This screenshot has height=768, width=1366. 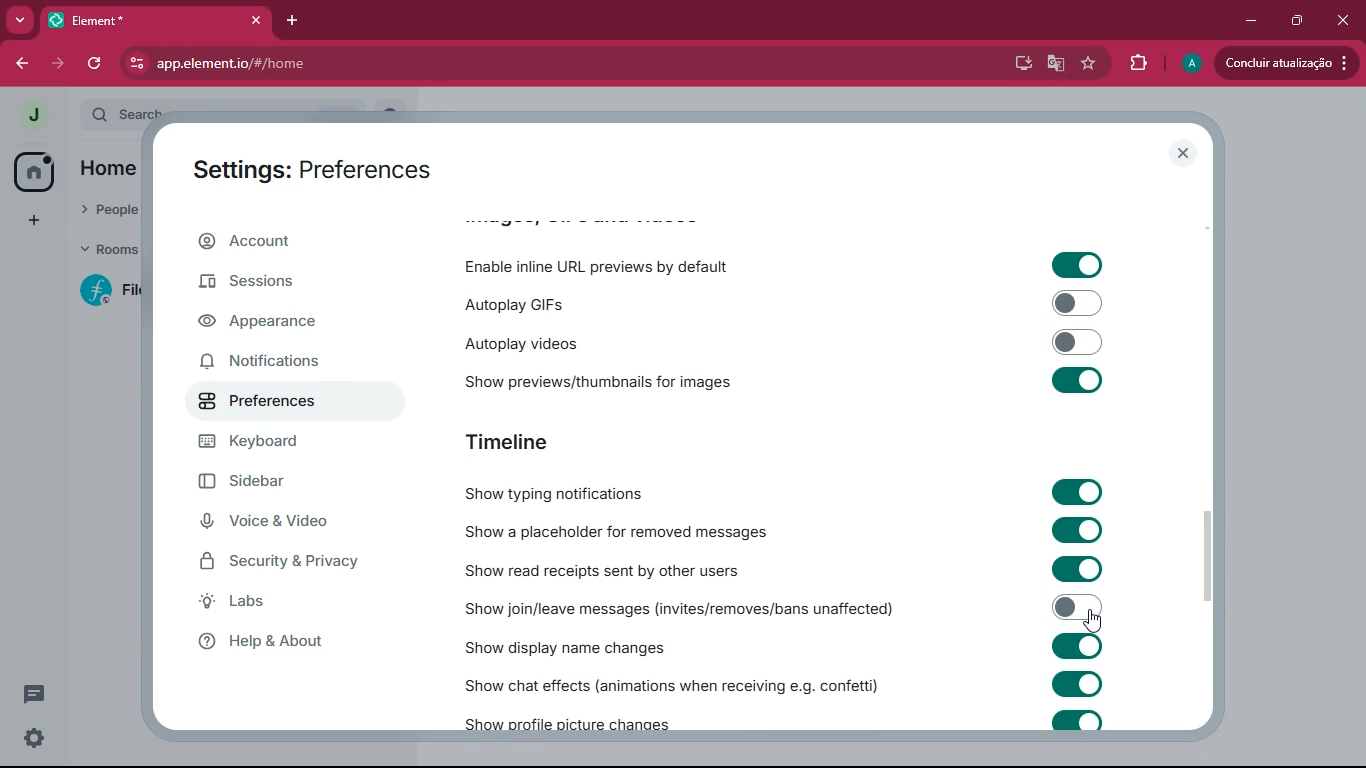 What do you see at coordinates (1299, 21) in the screenshot?
I see `maximize` at bounding box center [1299, 21].